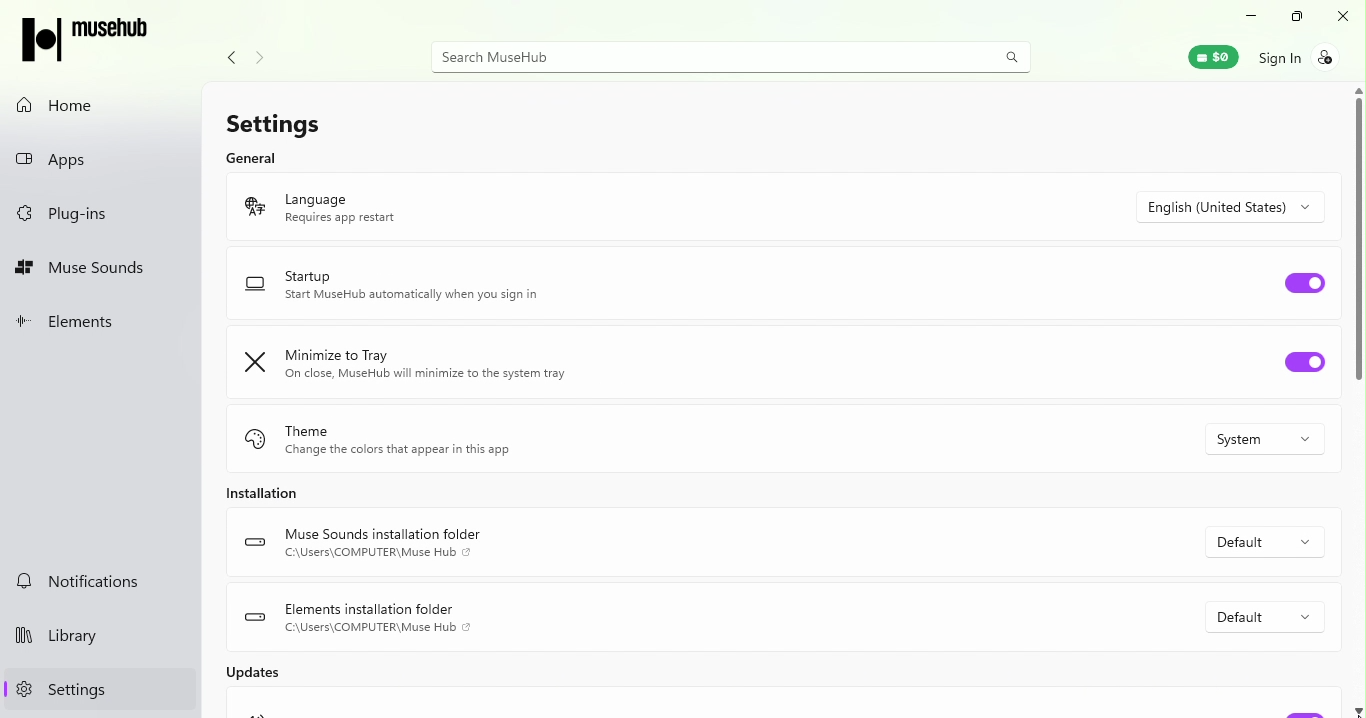  Describe the element at coordinates (81, 322) in the screenshot. I see `Elements` at that location.